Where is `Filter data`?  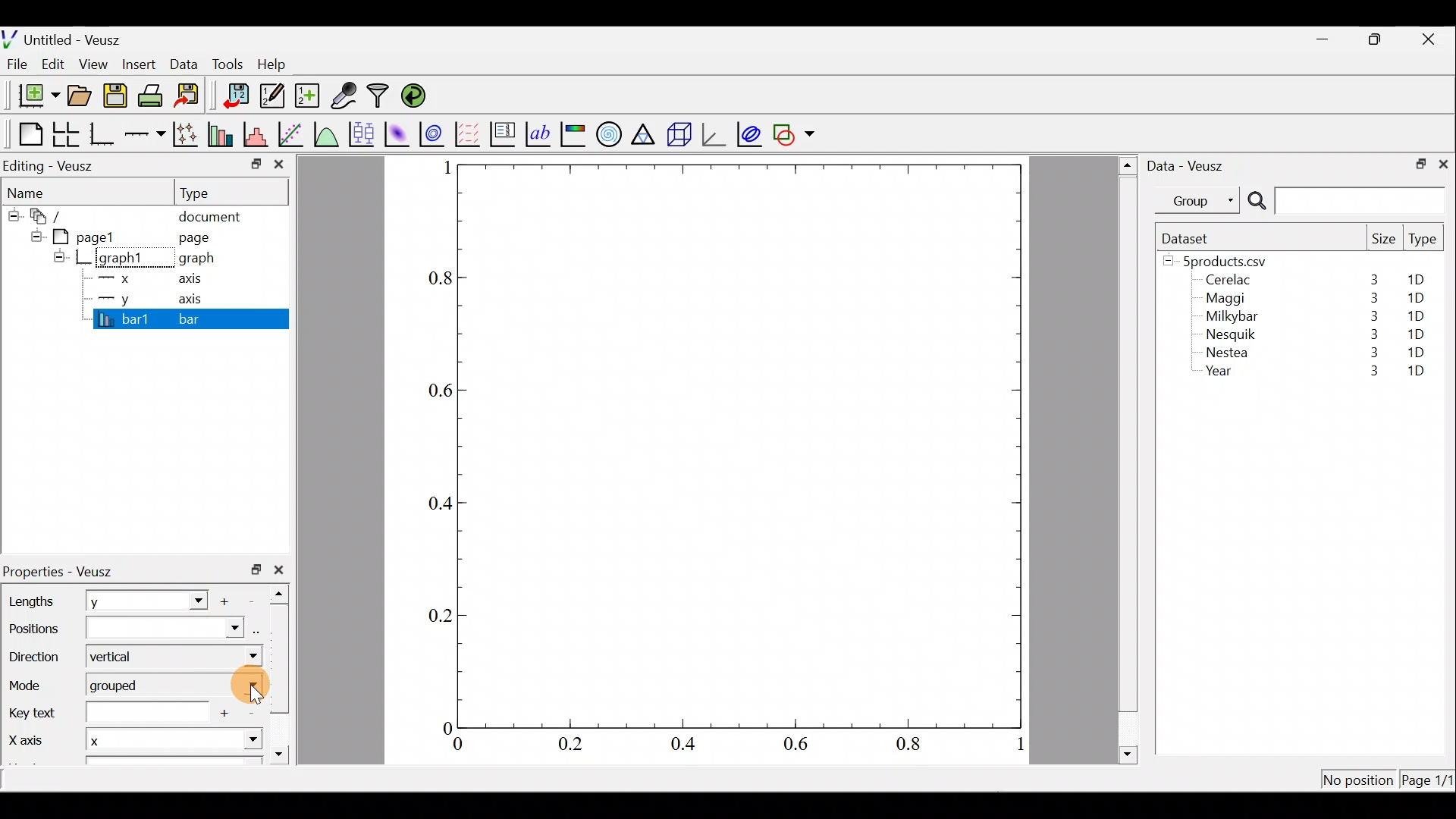 Filter data is located at coordinates (381, 97).